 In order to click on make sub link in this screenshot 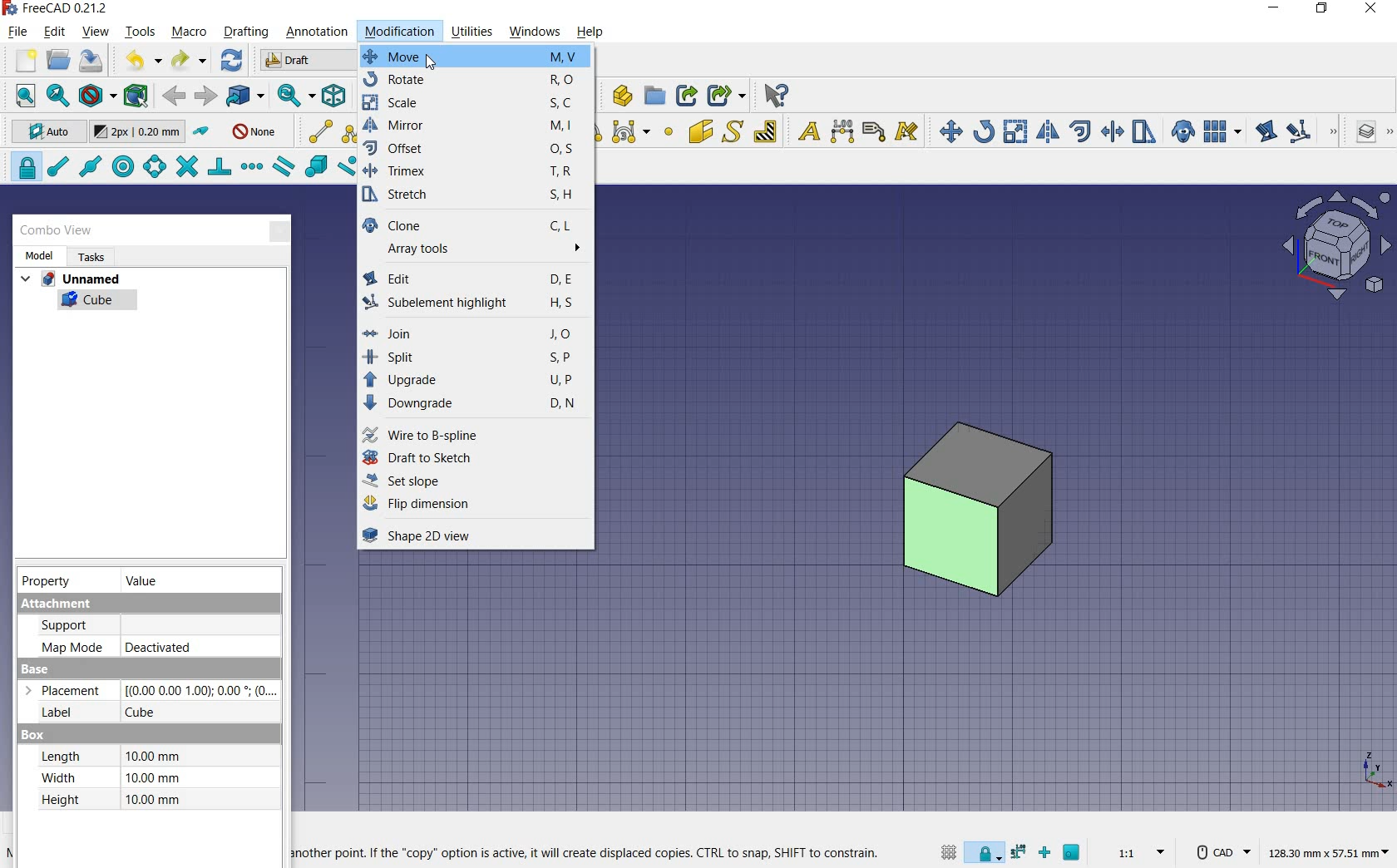, I will do `click(726, 96)`.